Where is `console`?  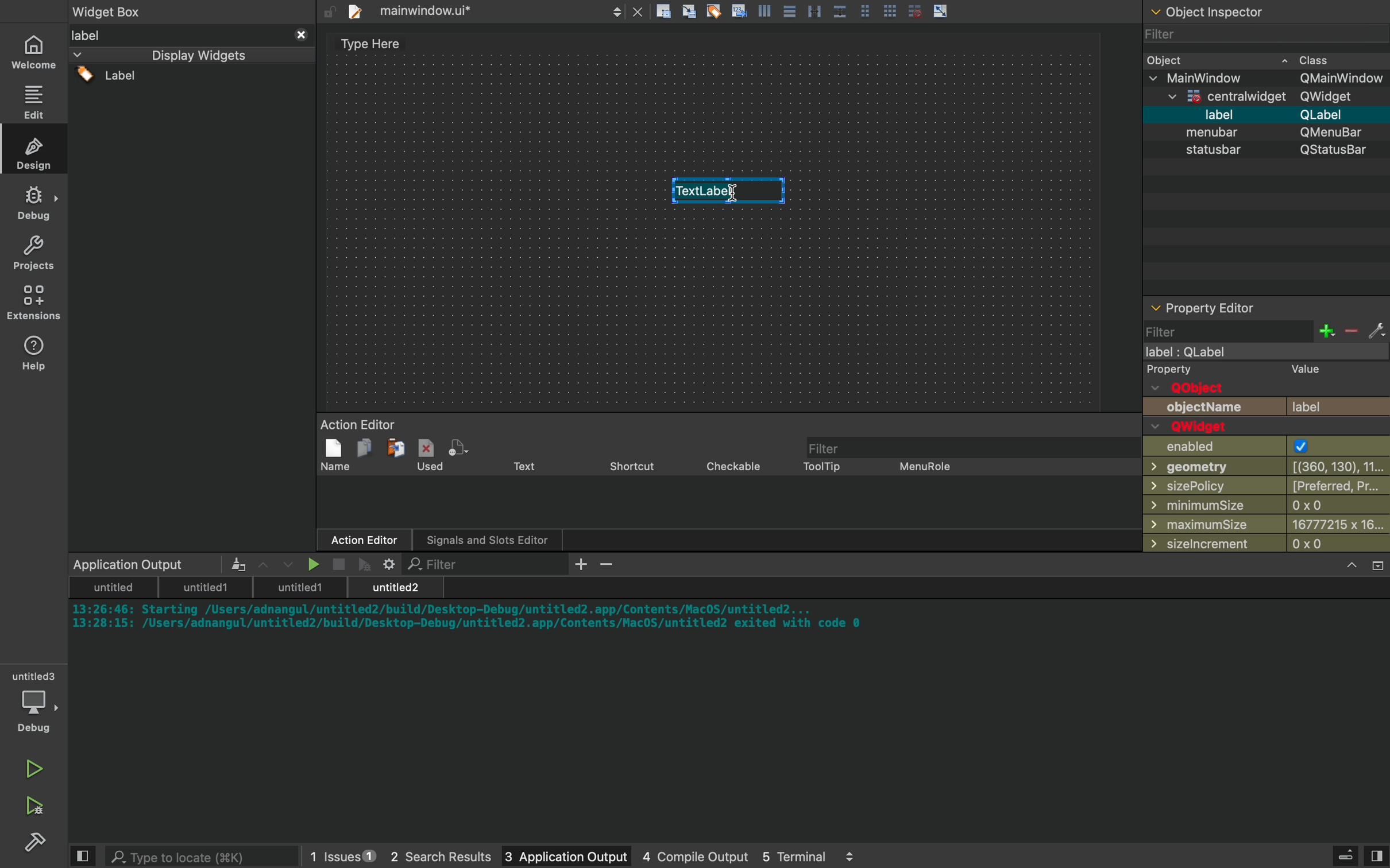 console is located at coordinates (732, 699).